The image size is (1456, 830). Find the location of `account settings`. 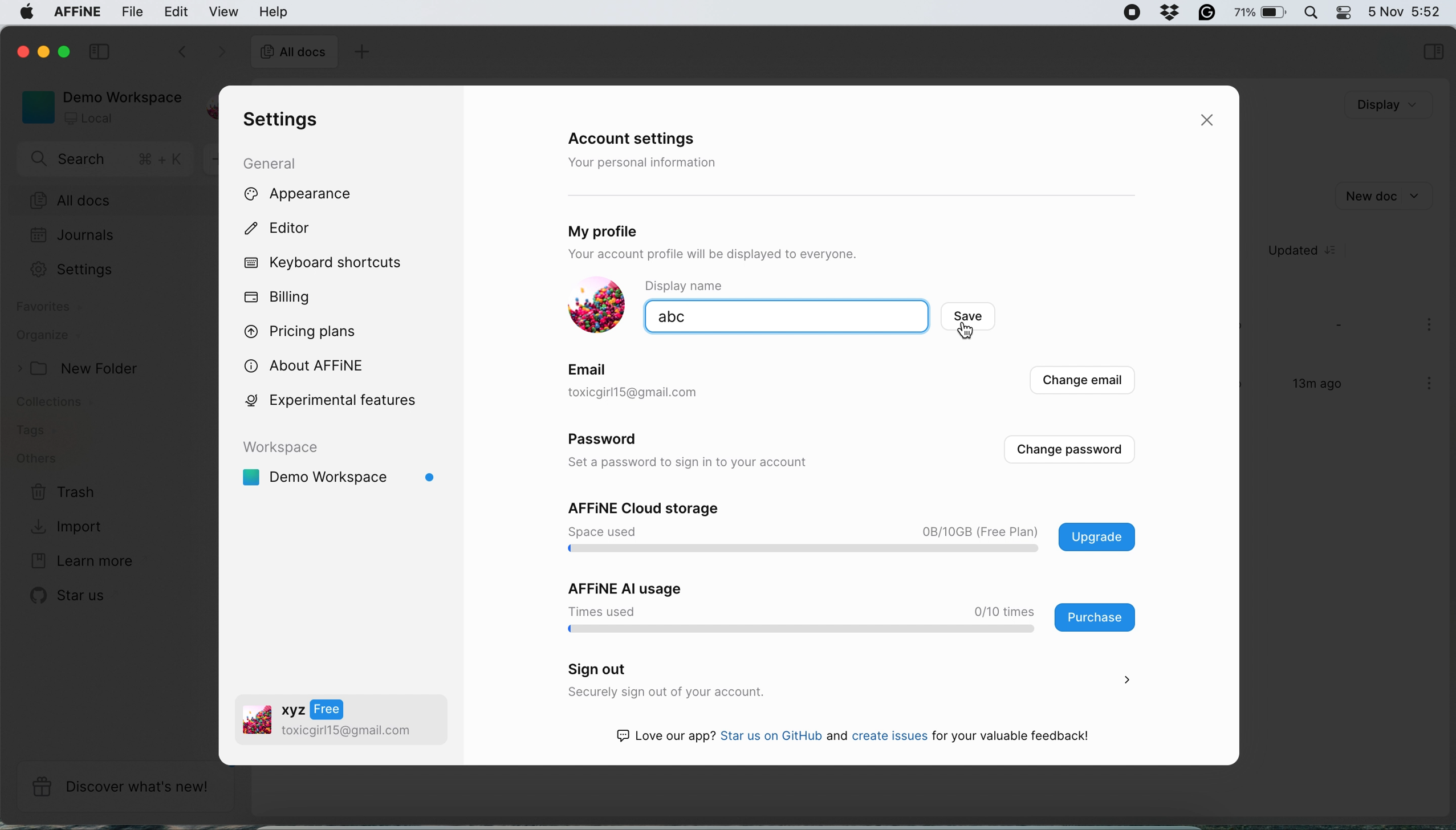

account settings is located at coordinates (640, 140).